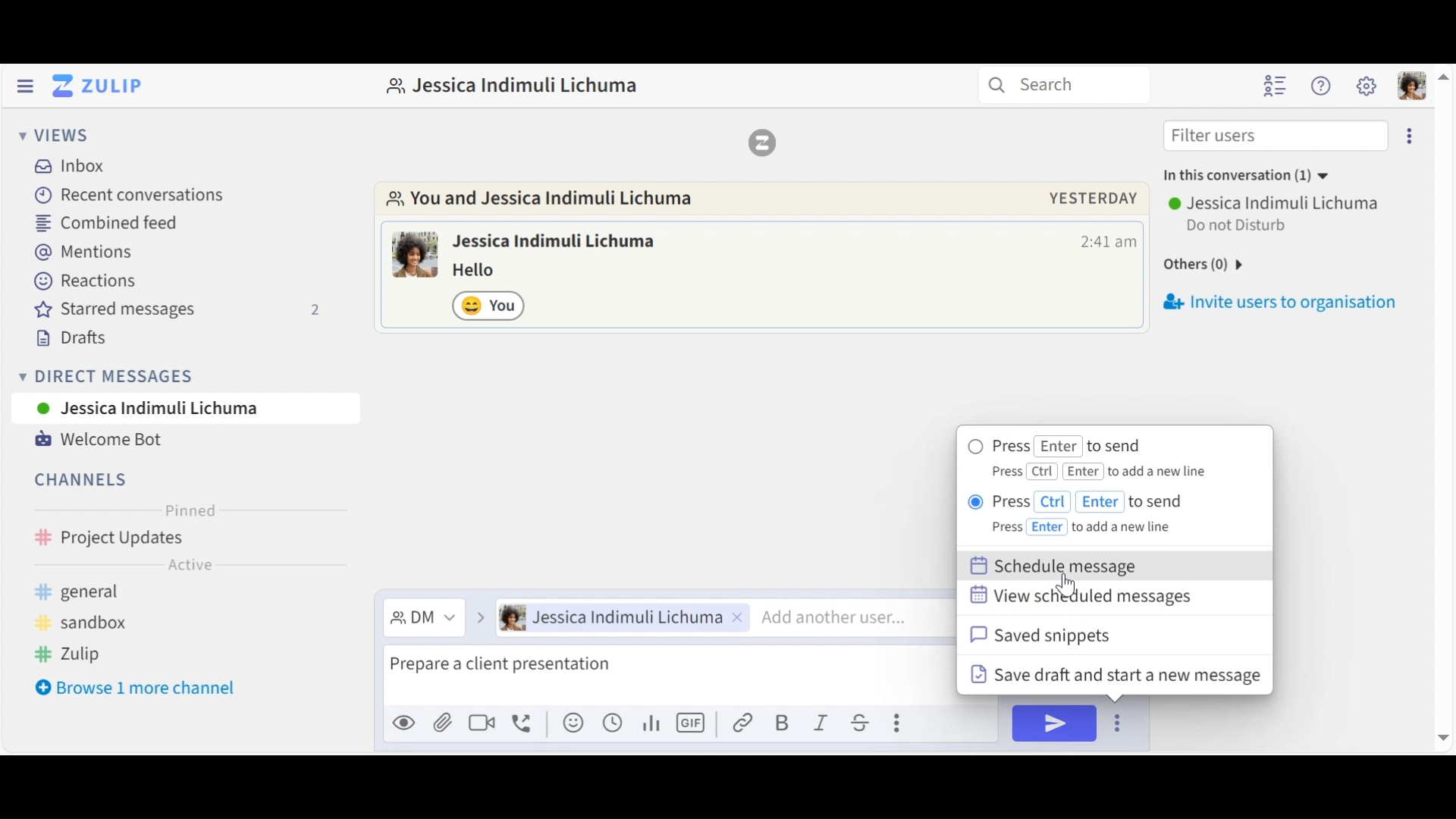 The width and height of the screenshot is (1456, 819). What do you see at coordinates (1117, 723) in the screenshot?
I see `Send options` at bounding box center [1117, 723].